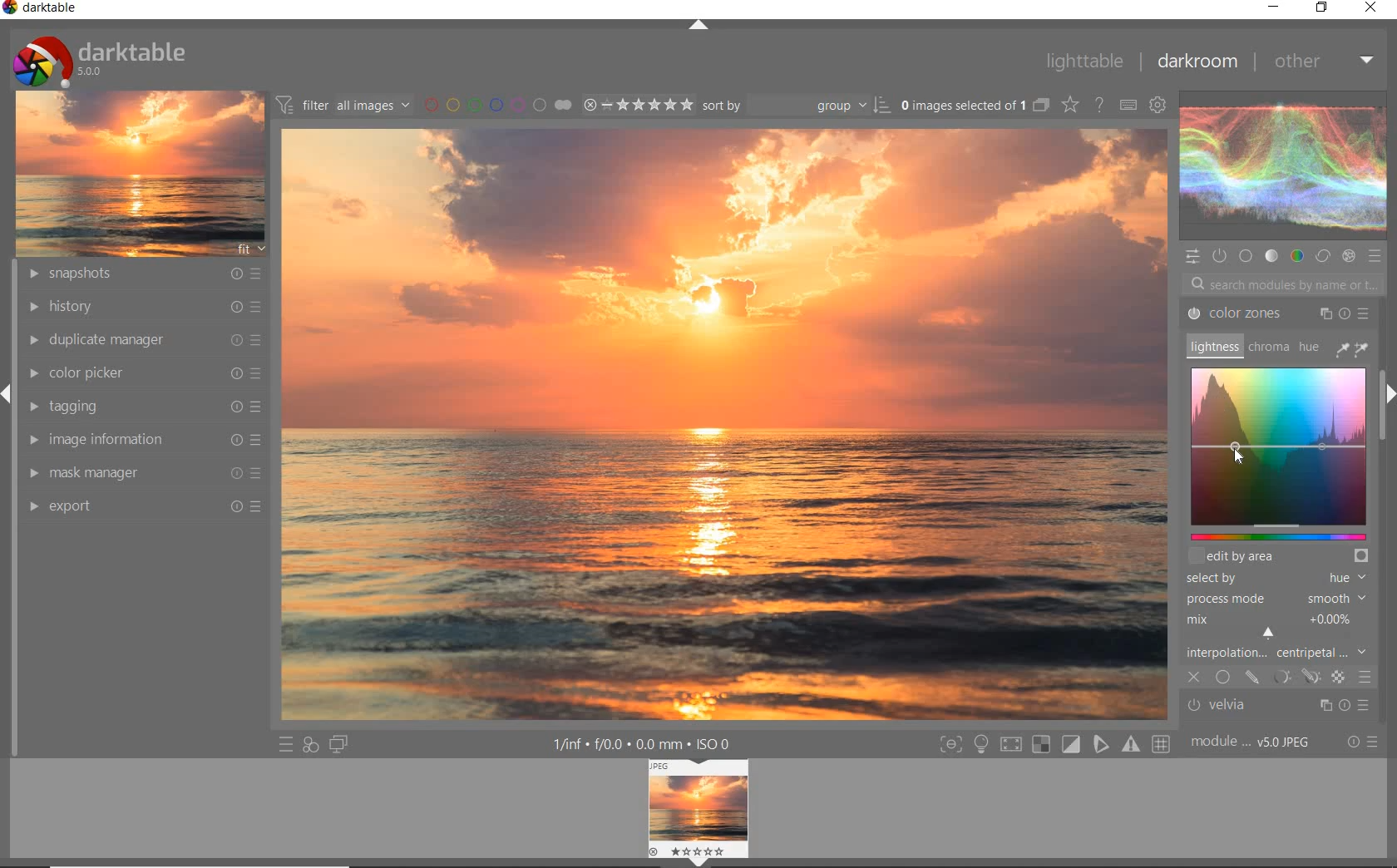  What do you see at coordinates (1069, 104) in the screenshot?
I see `CHANGE TYPE FOR OVER RELAY` at bounding box center [1069, 104].